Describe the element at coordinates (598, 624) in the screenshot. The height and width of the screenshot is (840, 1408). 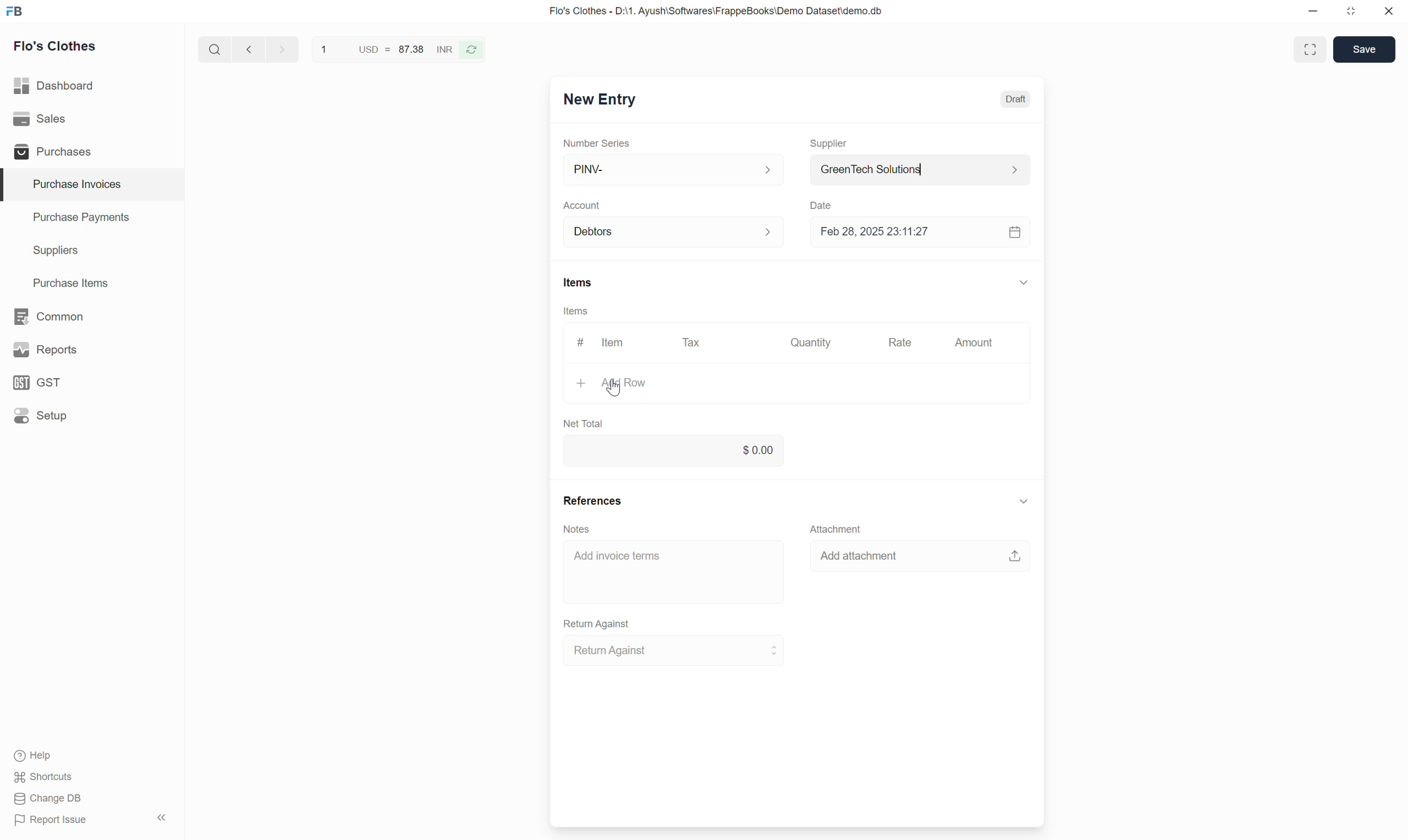
I see `Return Against` at that location.